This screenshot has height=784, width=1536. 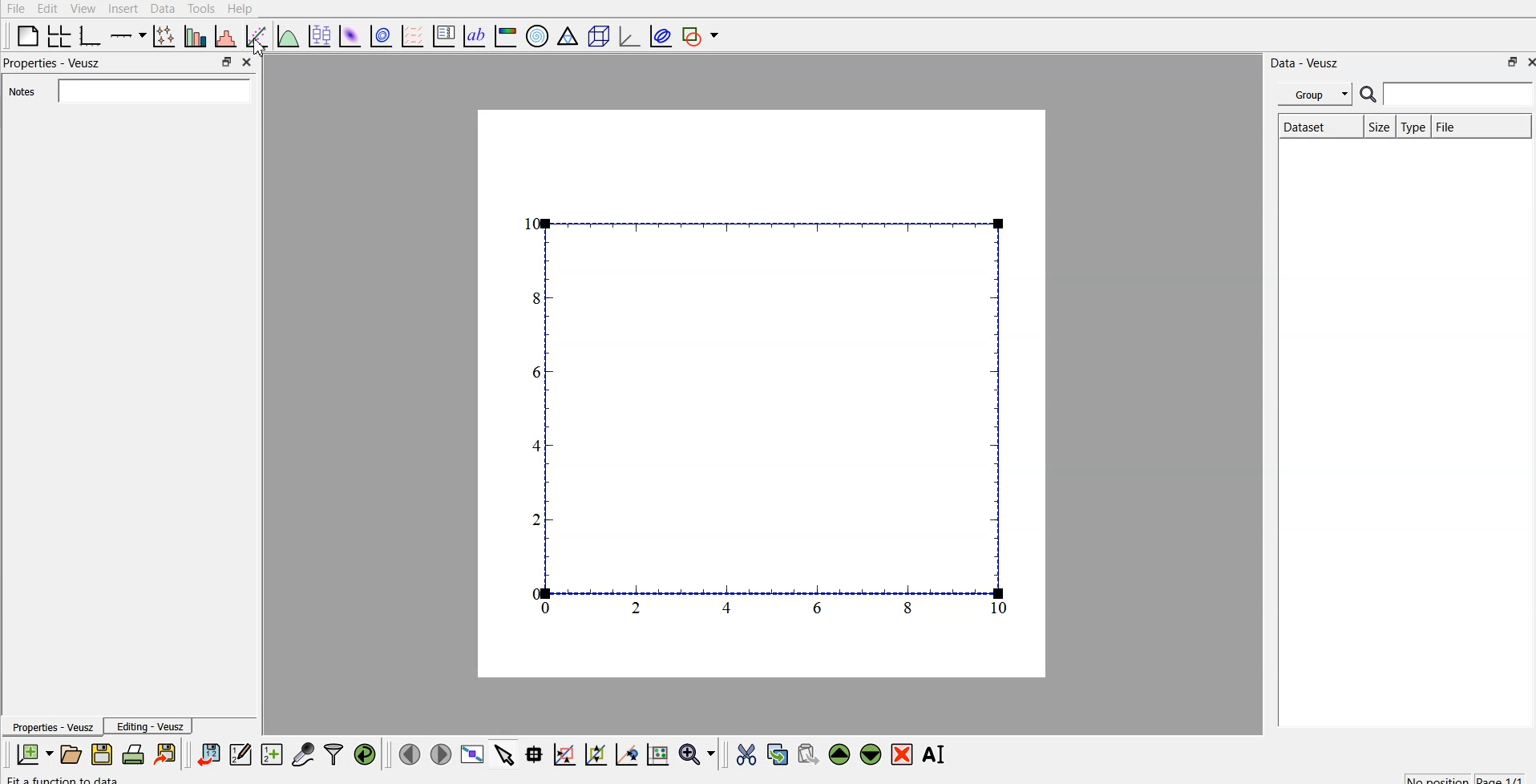 I want to click on cursor, so click(x=261, y=47).